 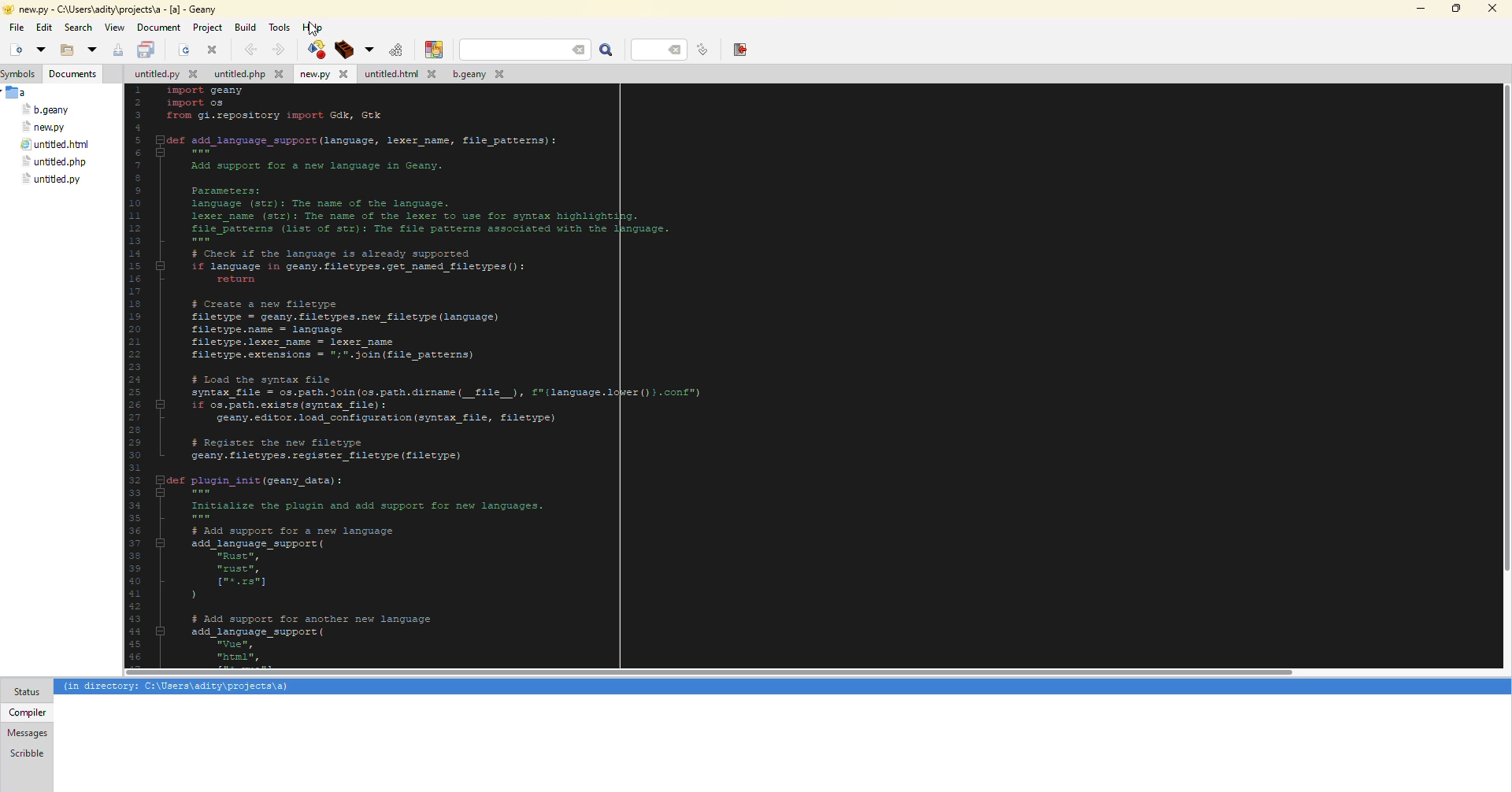 What do you see at coordinates (1418, 9) in the screenshot?
I see `minimize` at bounding box center [1418, 9].